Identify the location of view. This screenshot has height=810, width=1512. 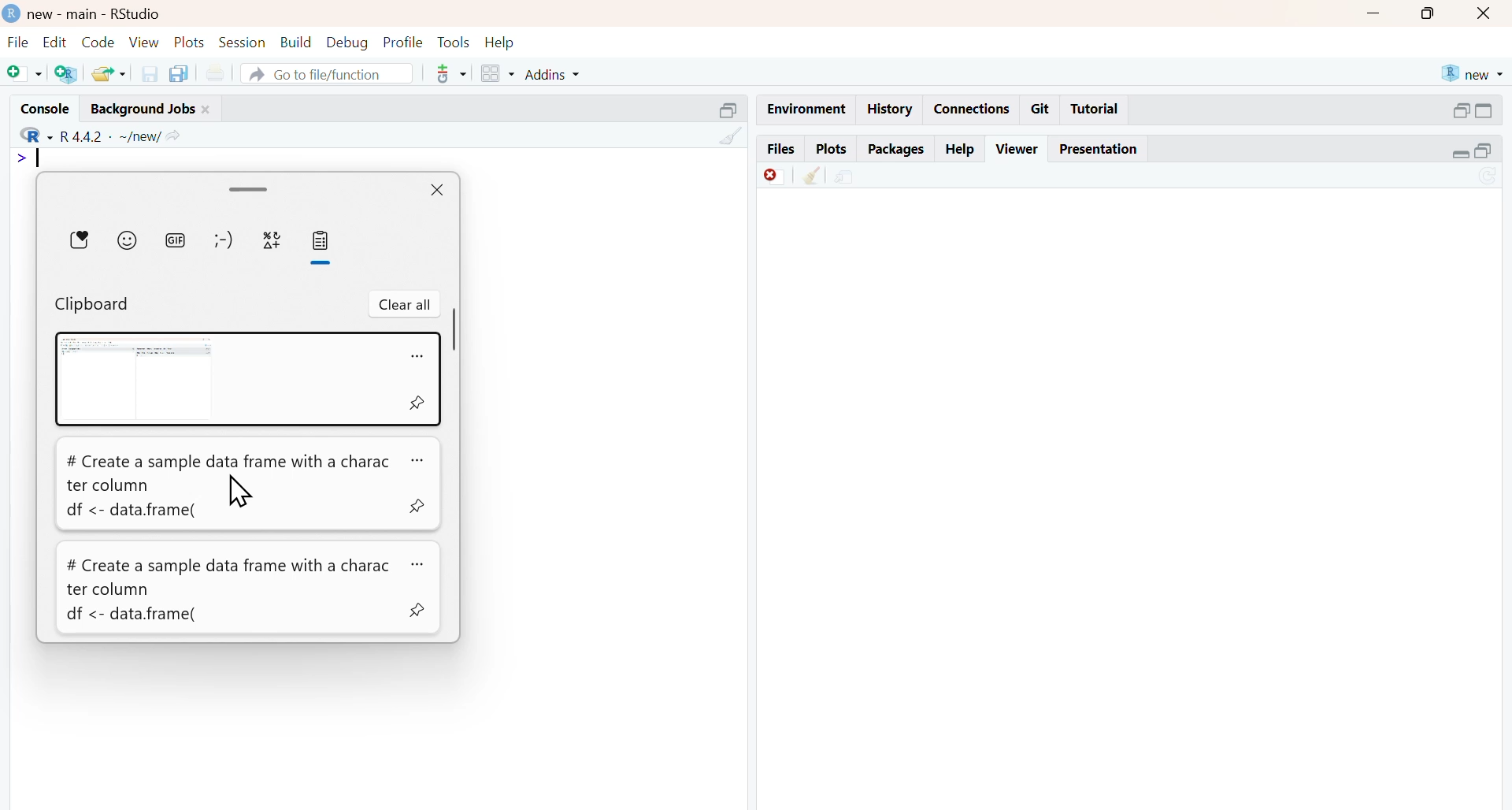
(144, 43).